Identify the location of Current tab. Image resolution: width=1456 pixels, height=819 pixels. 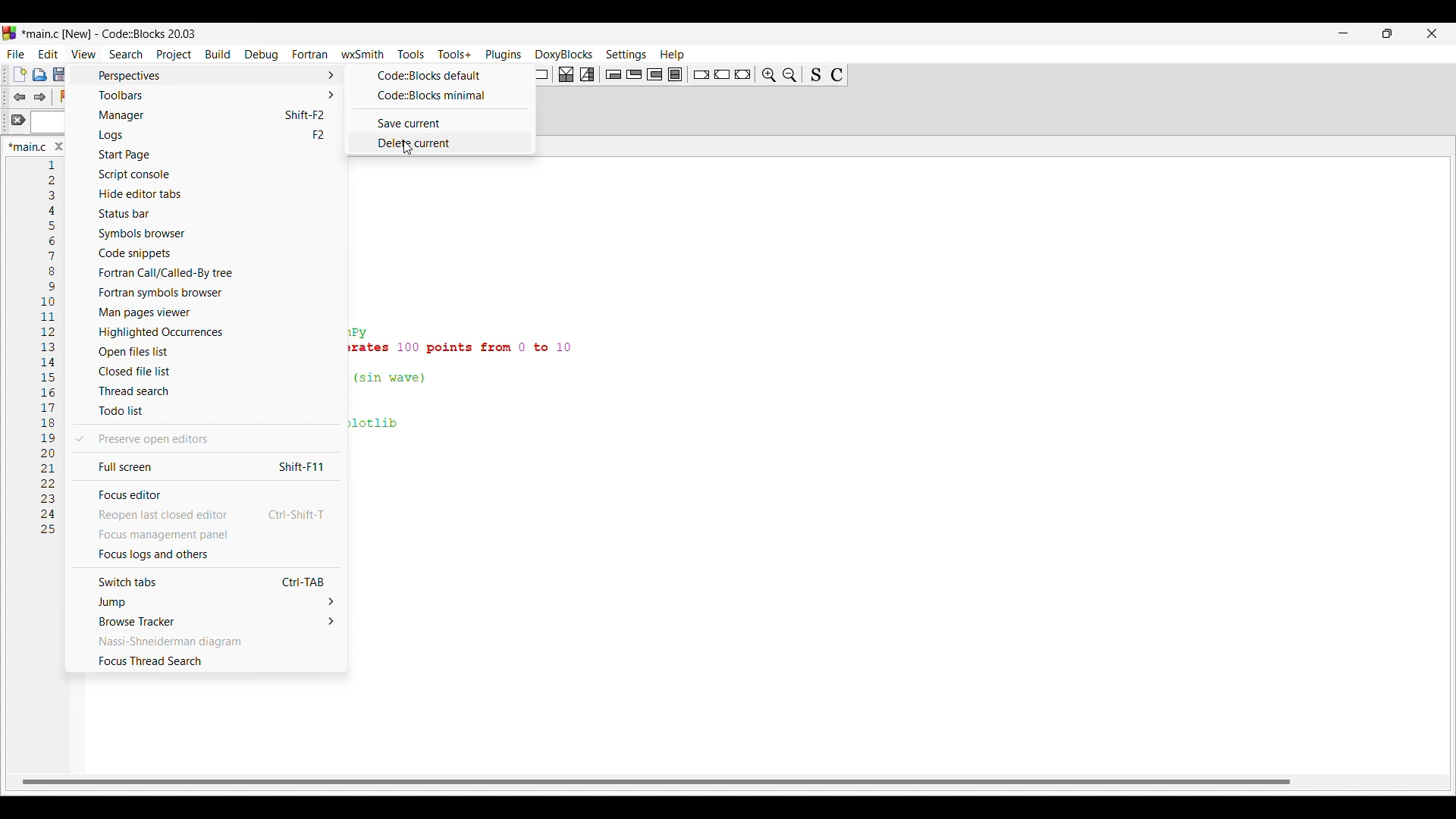
(27, 146).